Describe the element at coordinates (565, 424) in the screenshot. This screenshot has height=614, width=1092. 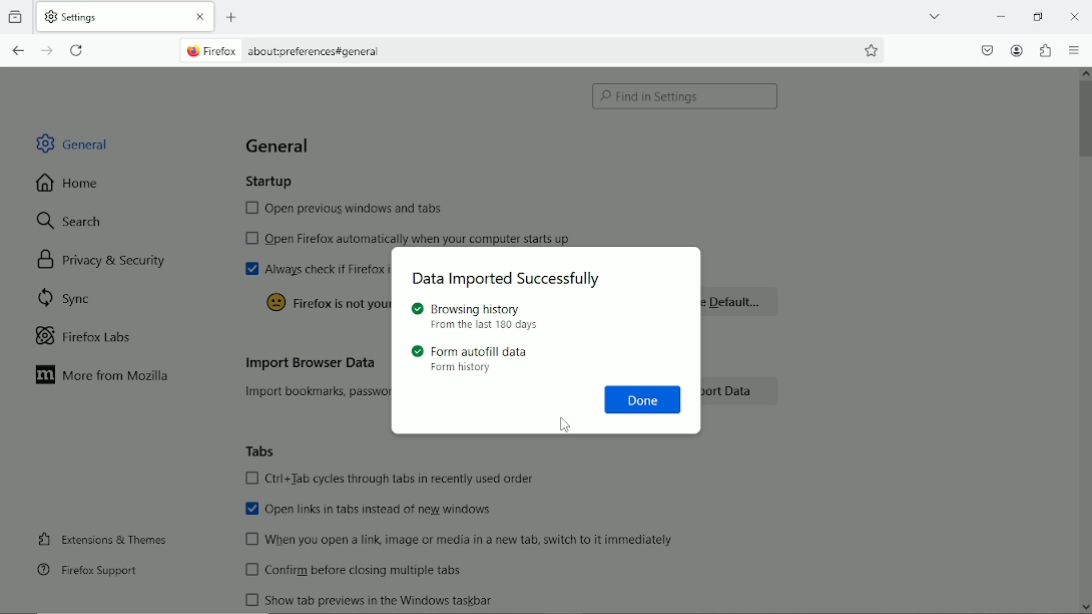
I see `Cursor` at that location.